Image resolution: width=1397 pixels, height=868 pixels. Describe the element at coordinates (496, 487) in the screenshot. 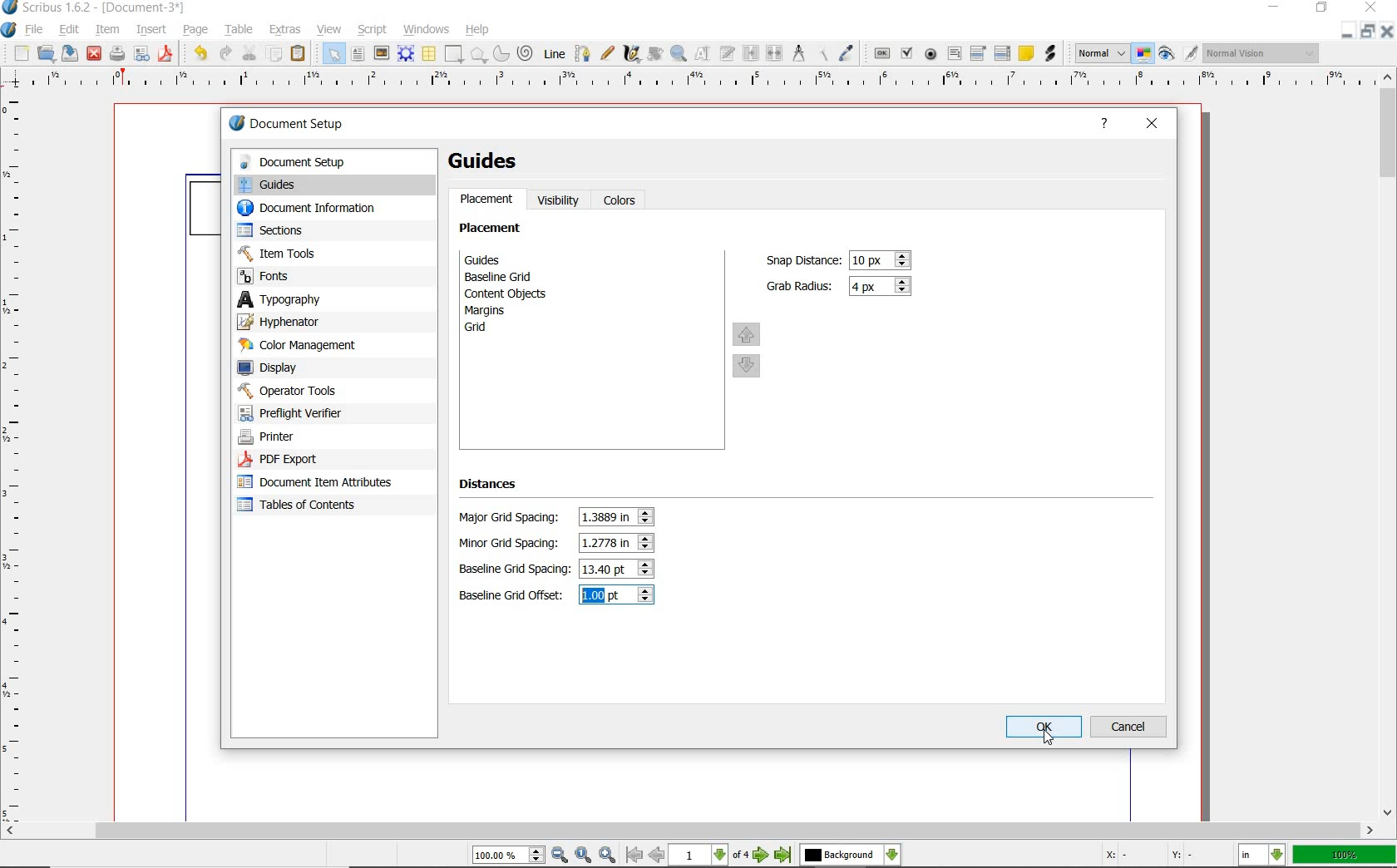

I see `distances` at that location.